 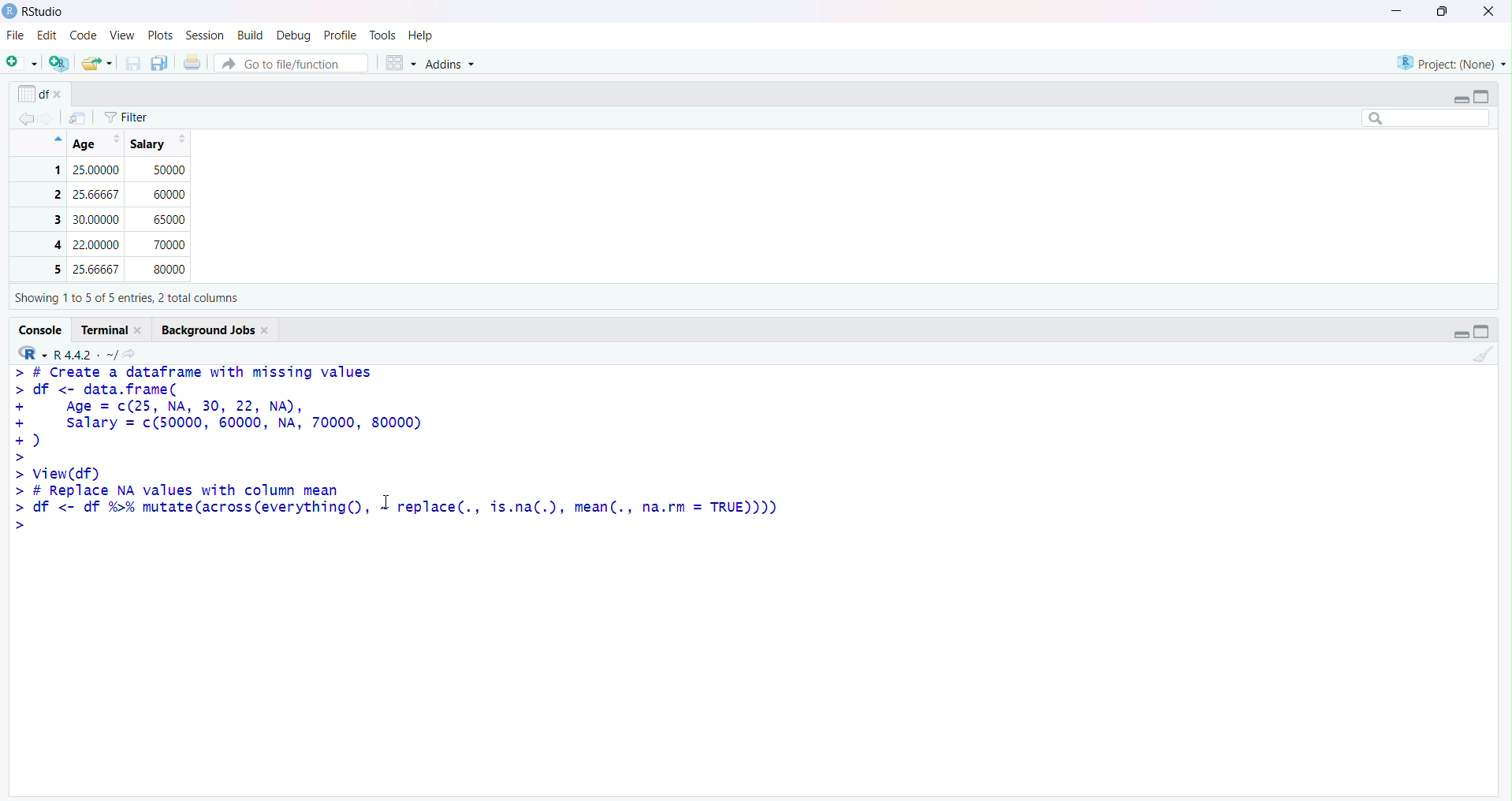 What do you see at coordinates (216, 330) in the screenshot?
I see `Background Jobs` at bounding box center [216, 330].